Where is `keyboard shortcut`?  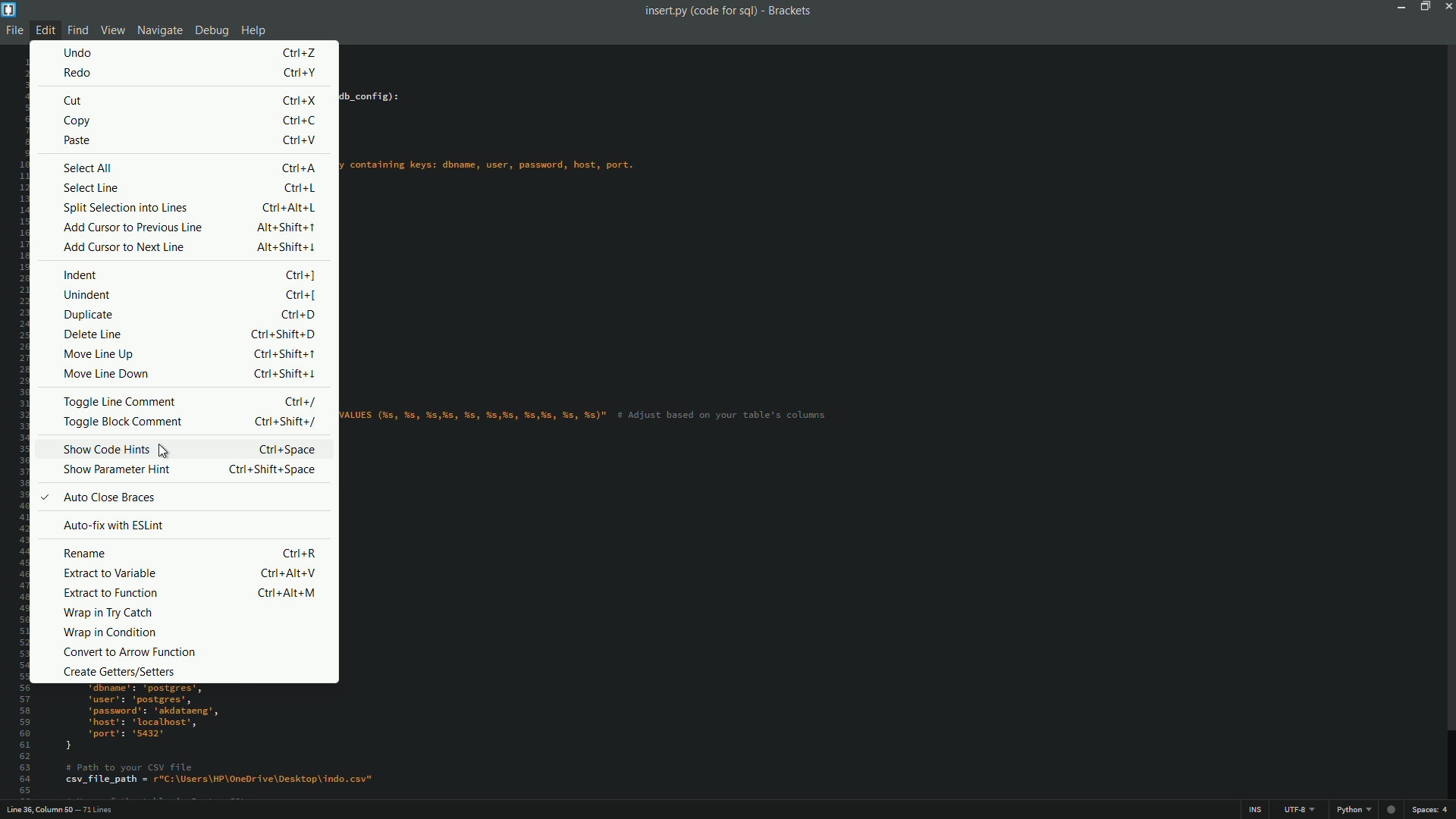 keyboard shortcut is located at coordinates (301, 551).